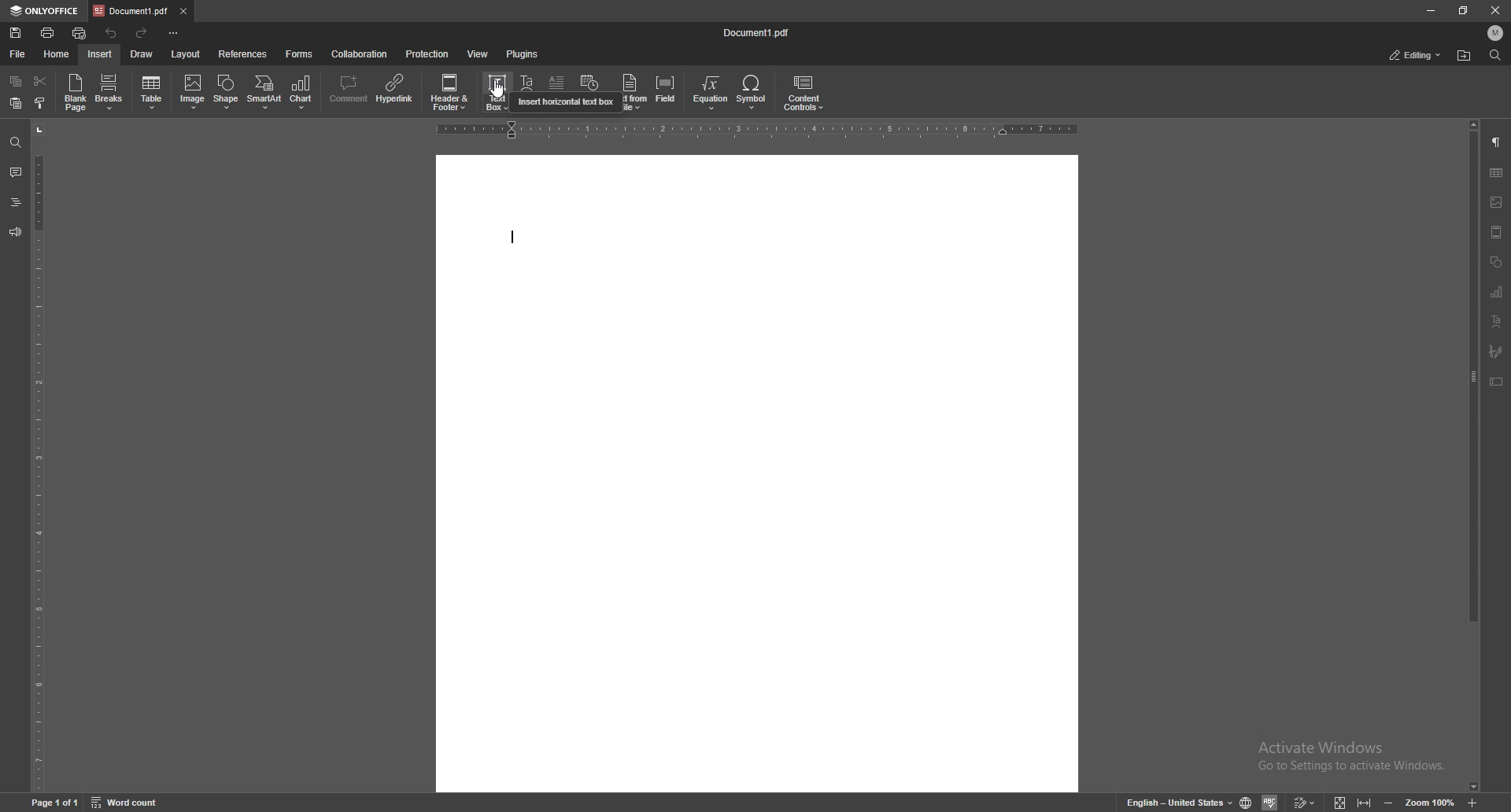 Image resolution: width=1511 pixels, height=812 pixels. Describe the element at coordinates (1269, 802) in the screenshot. I see `spell check` at that location.